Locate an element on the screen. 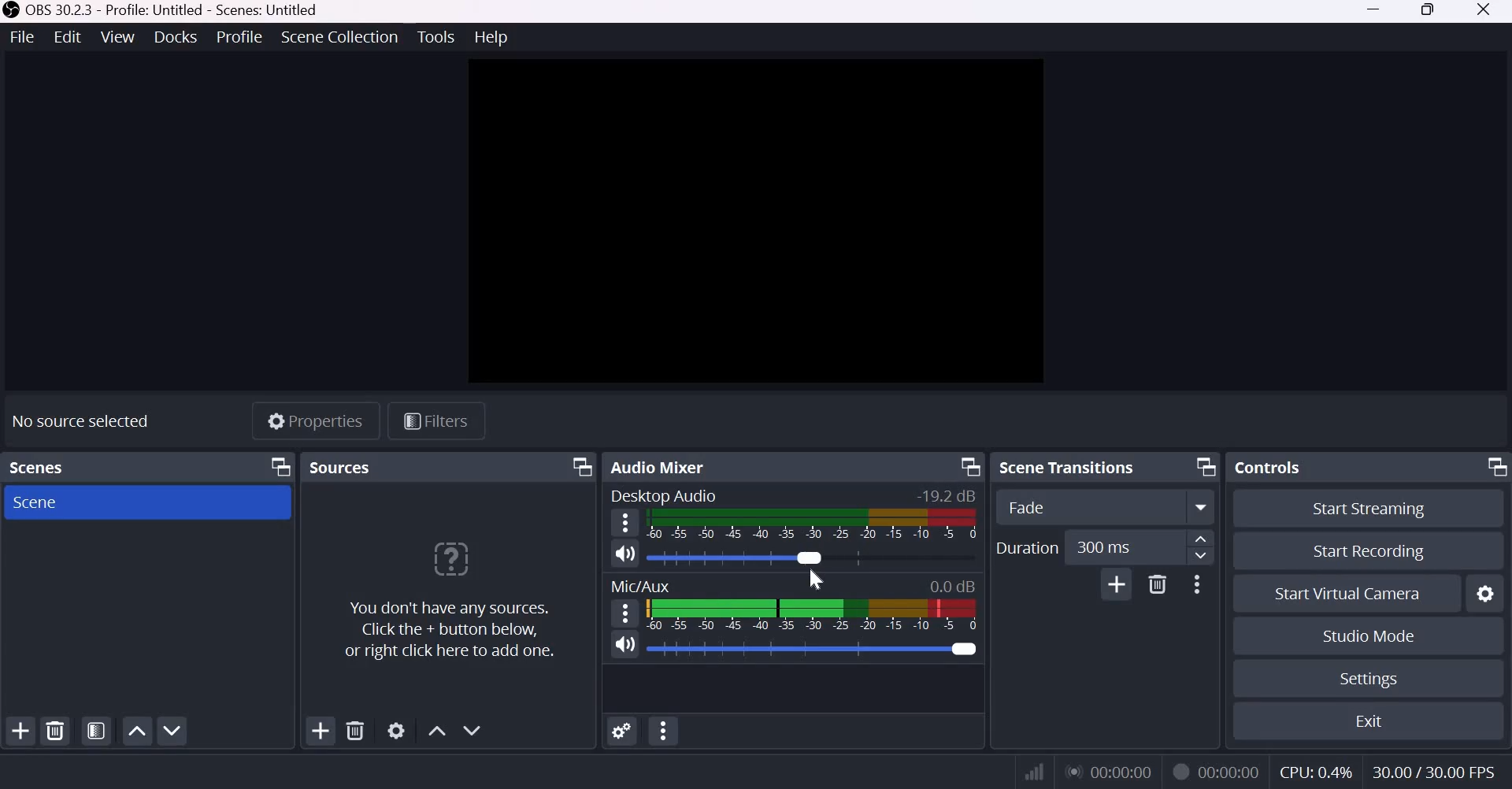  Move scene down is located at coordinates (173, 729).